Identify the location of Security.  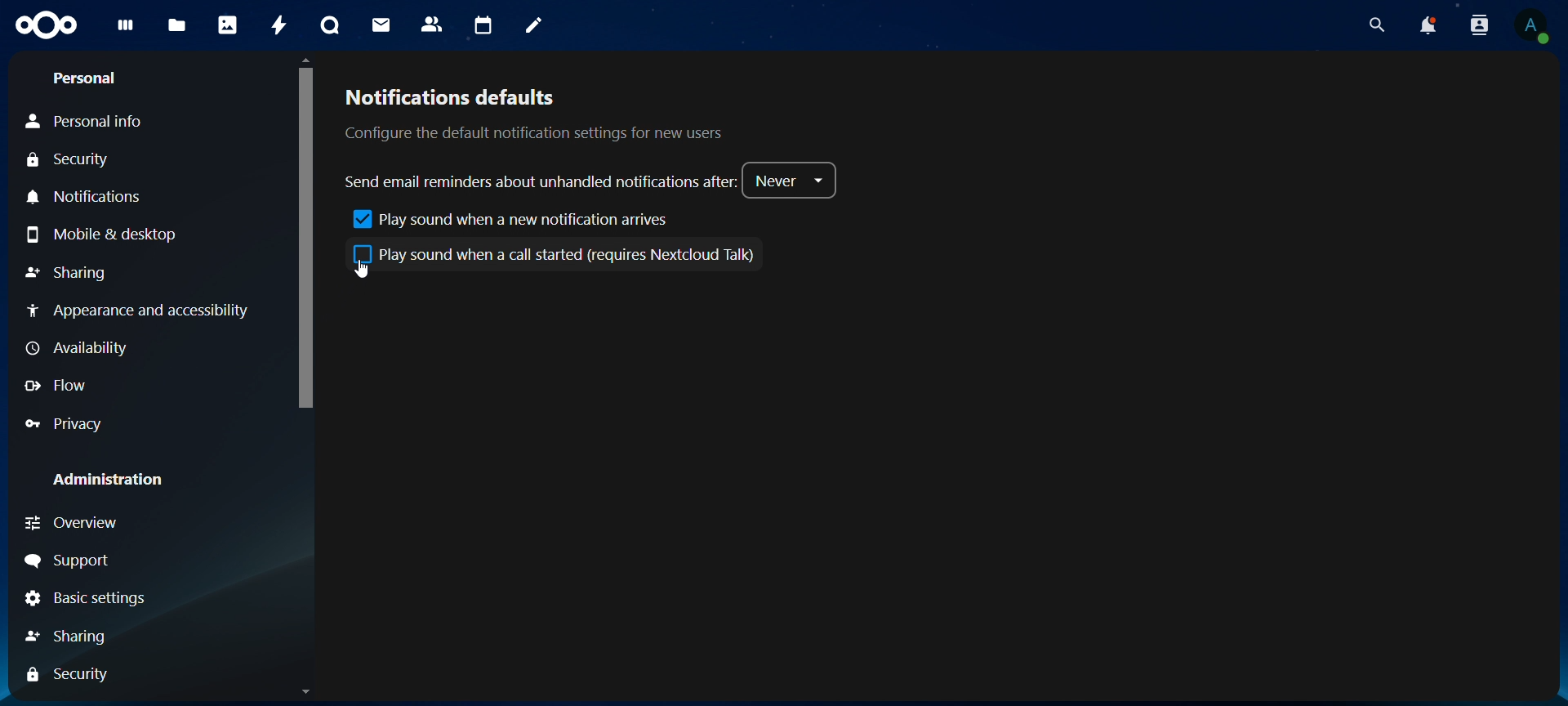
(67, 162).